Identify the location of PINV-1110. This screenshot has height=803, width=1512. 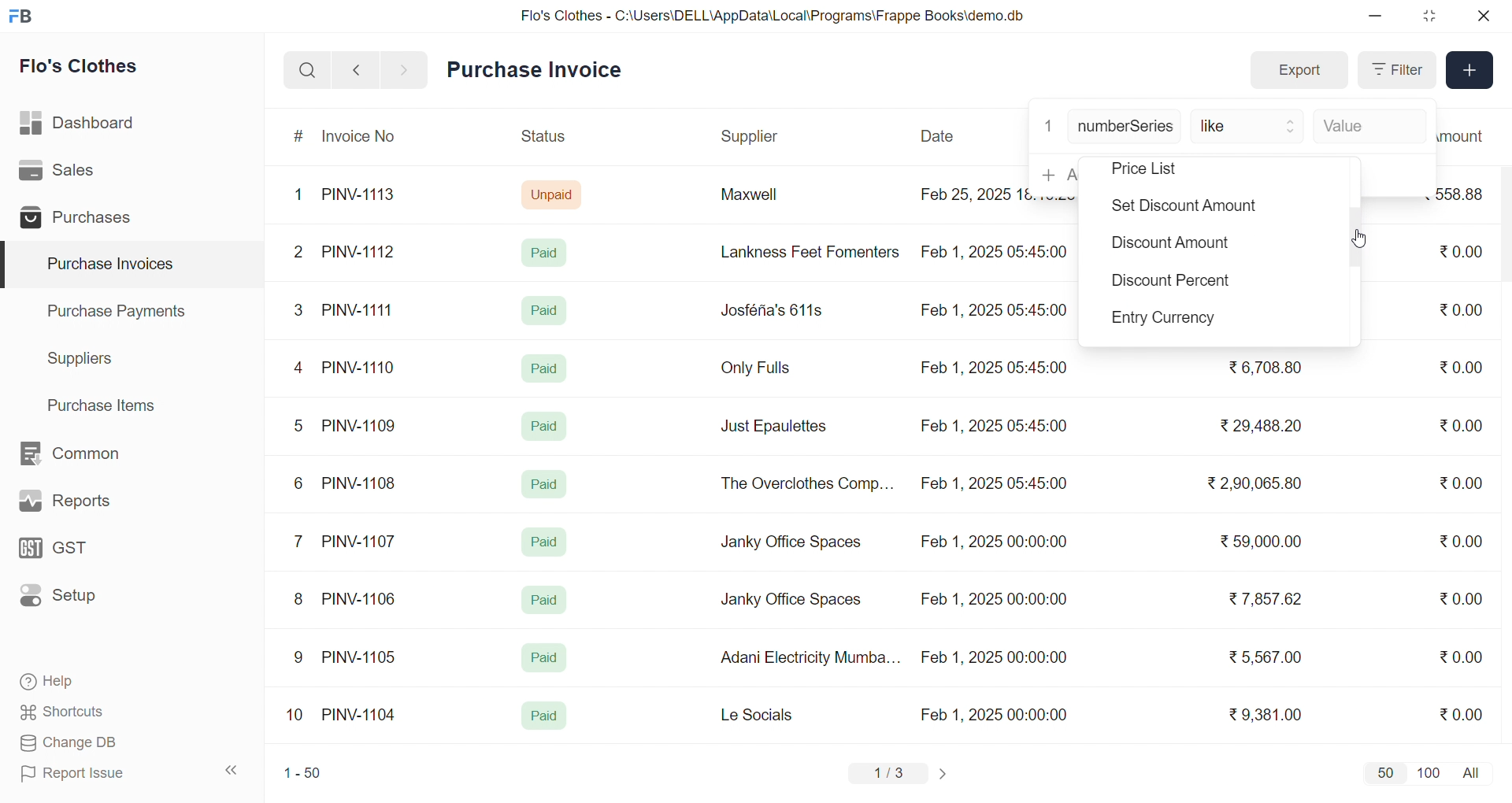
(360, 367).